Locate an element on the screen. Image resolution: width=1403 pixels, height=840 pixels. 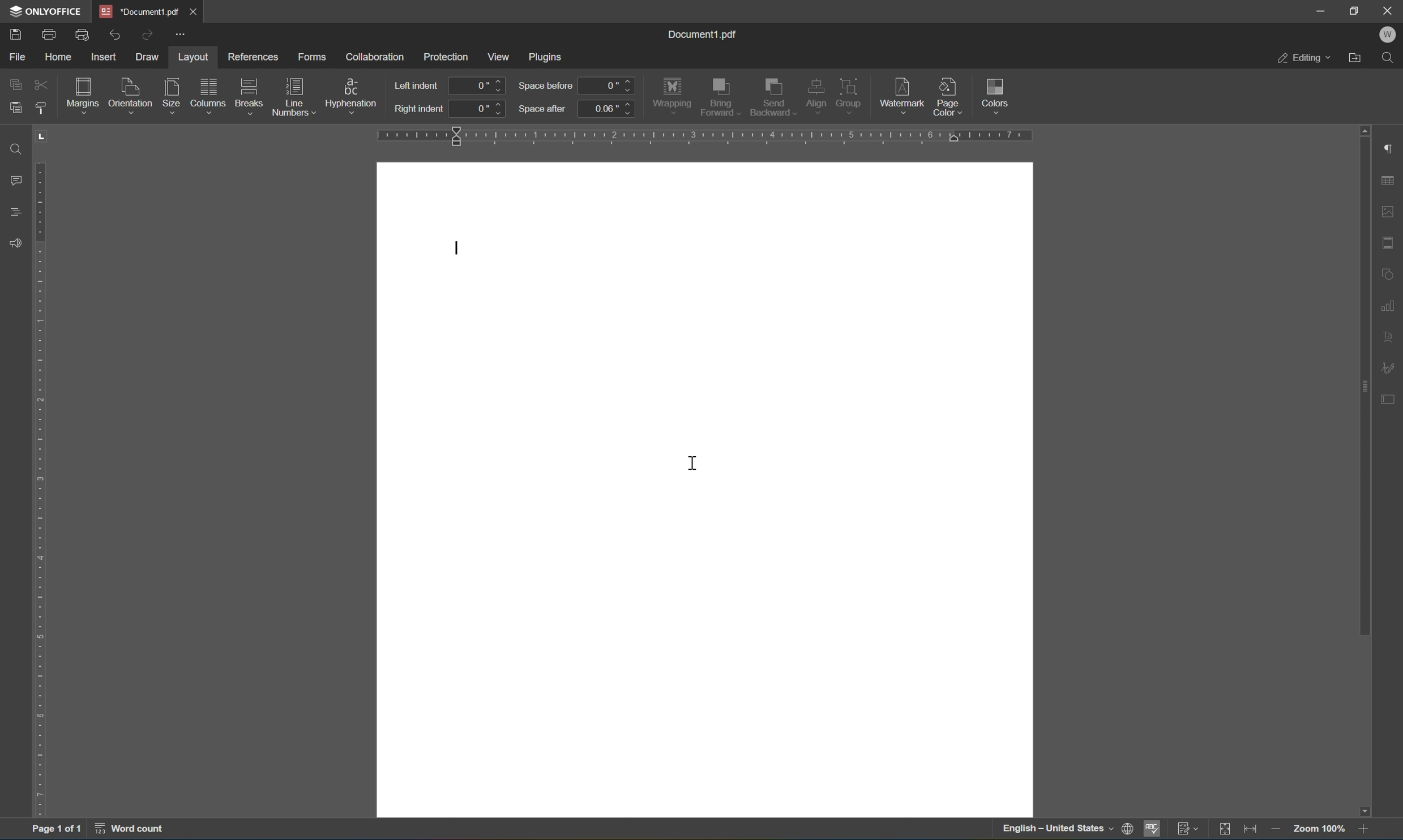
image settings is located at coordinates (1389, 213).